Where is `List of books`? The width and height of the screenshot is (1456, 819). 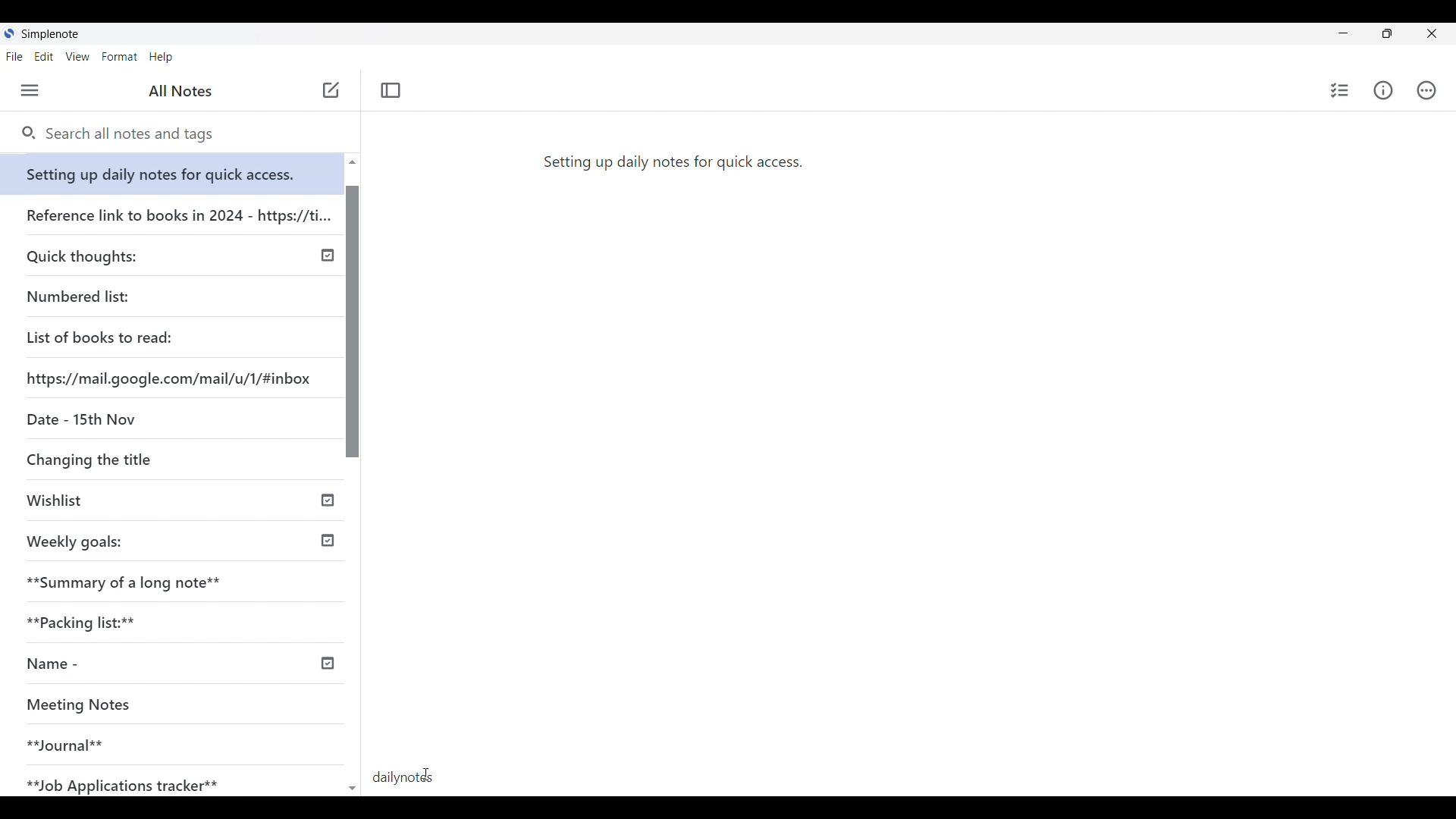 List of books is located at coordinates (101, 335).